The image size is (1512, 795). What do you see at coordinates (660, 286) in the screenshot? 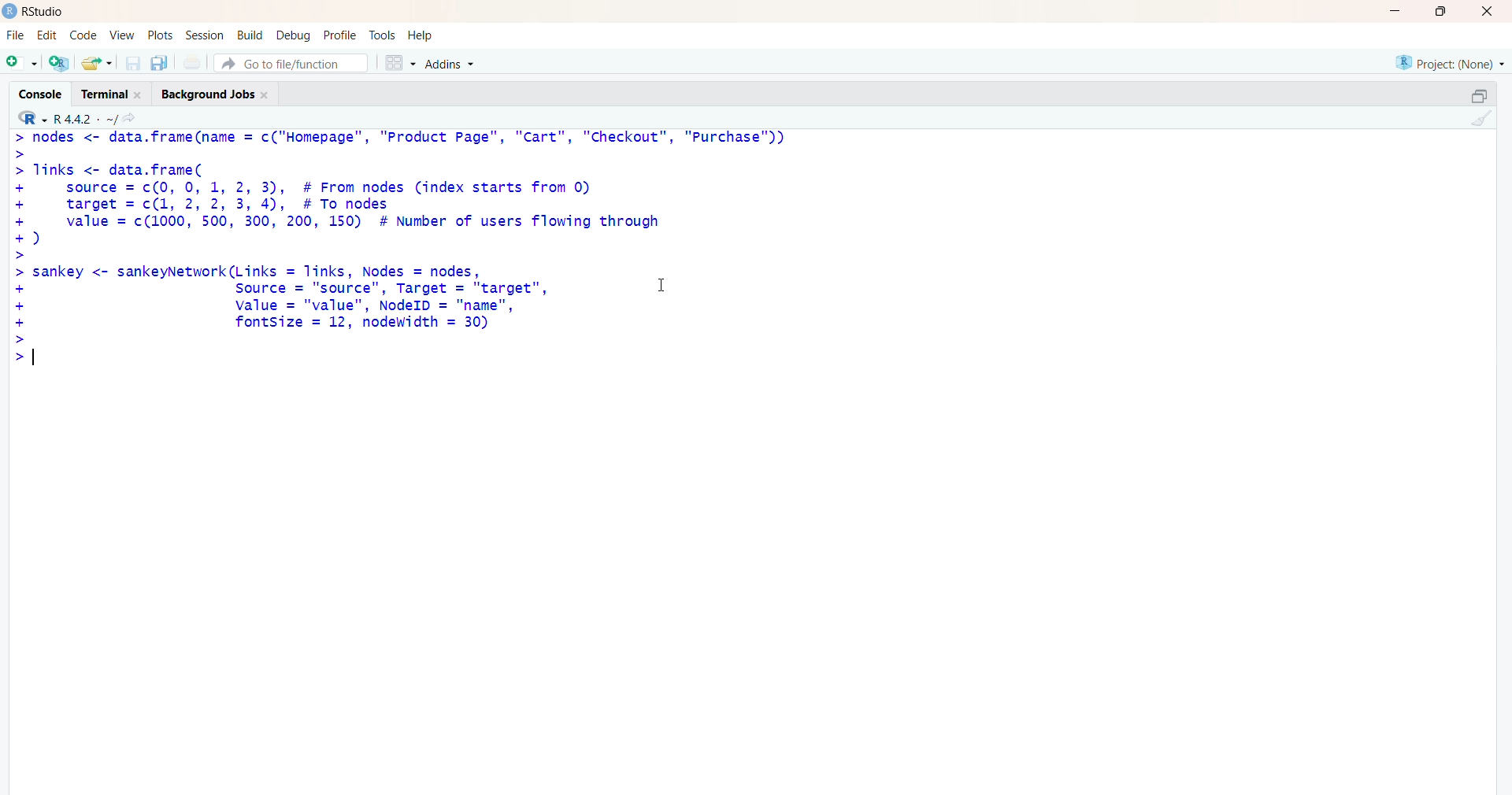
I see `cursor` at bounding box center [660, 286].